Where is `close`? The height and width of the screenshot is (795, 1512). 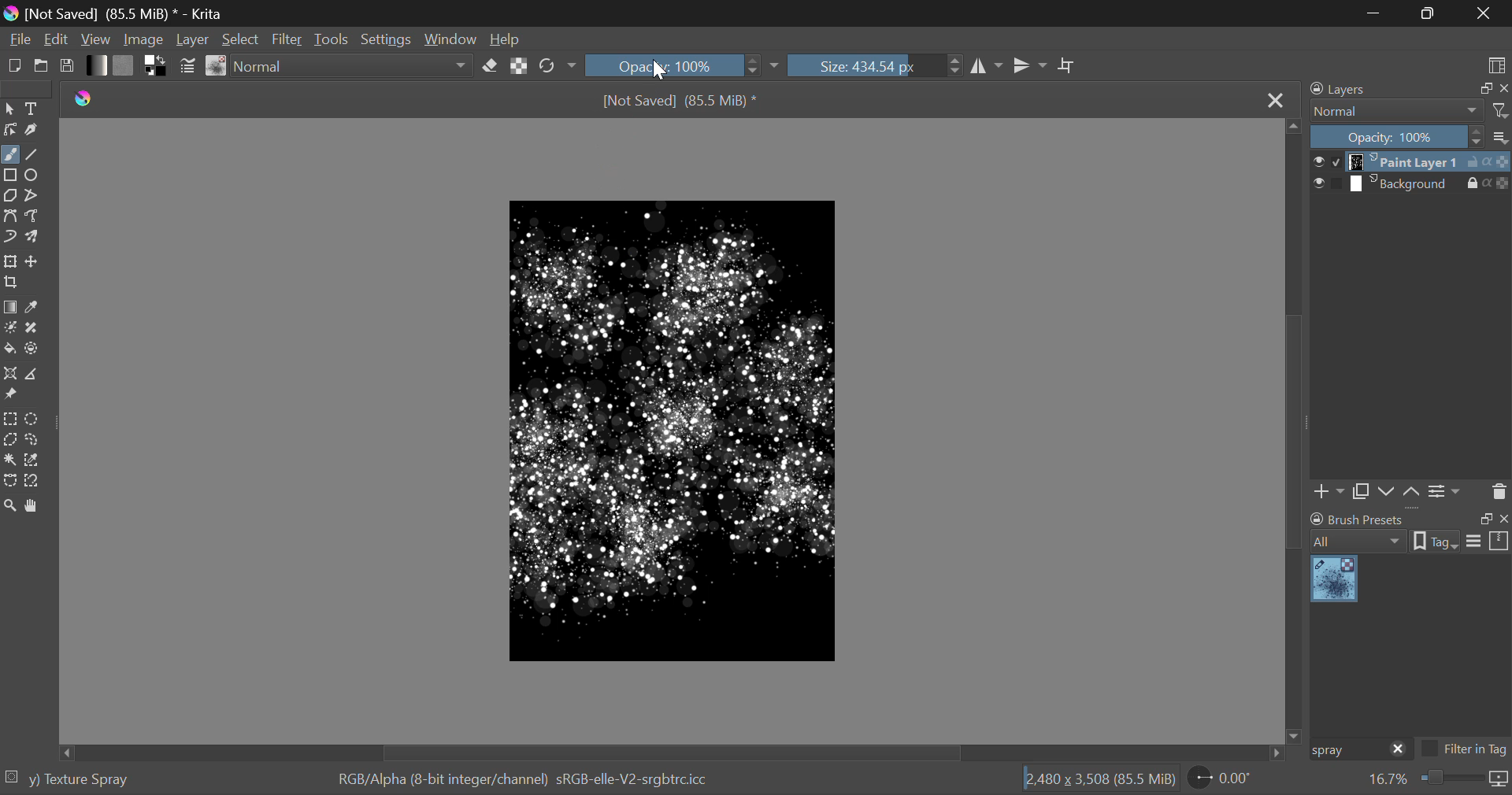 close is located at coordinates (1503, 89).